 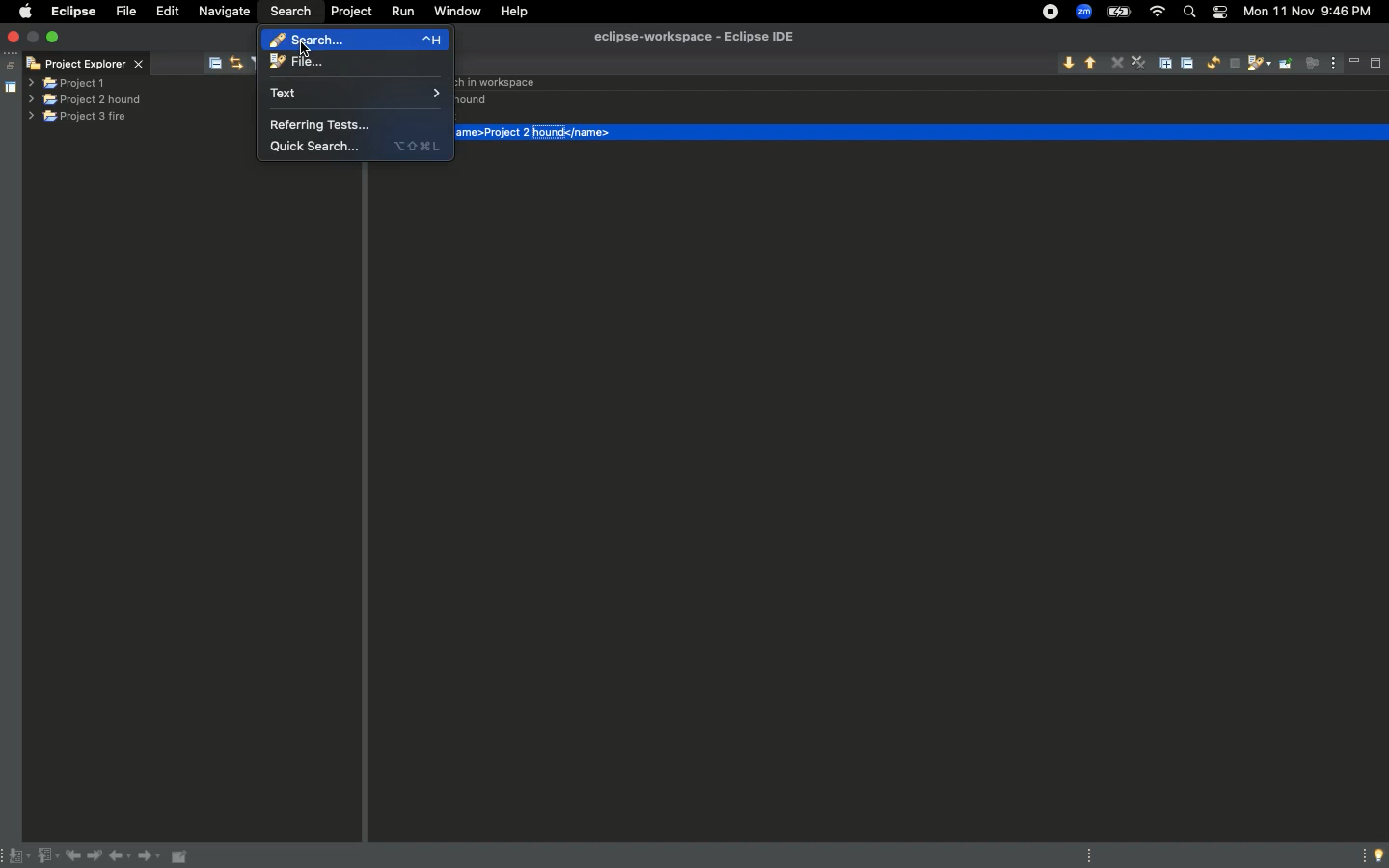 I want to click on Back, so click(x=122, y=858).